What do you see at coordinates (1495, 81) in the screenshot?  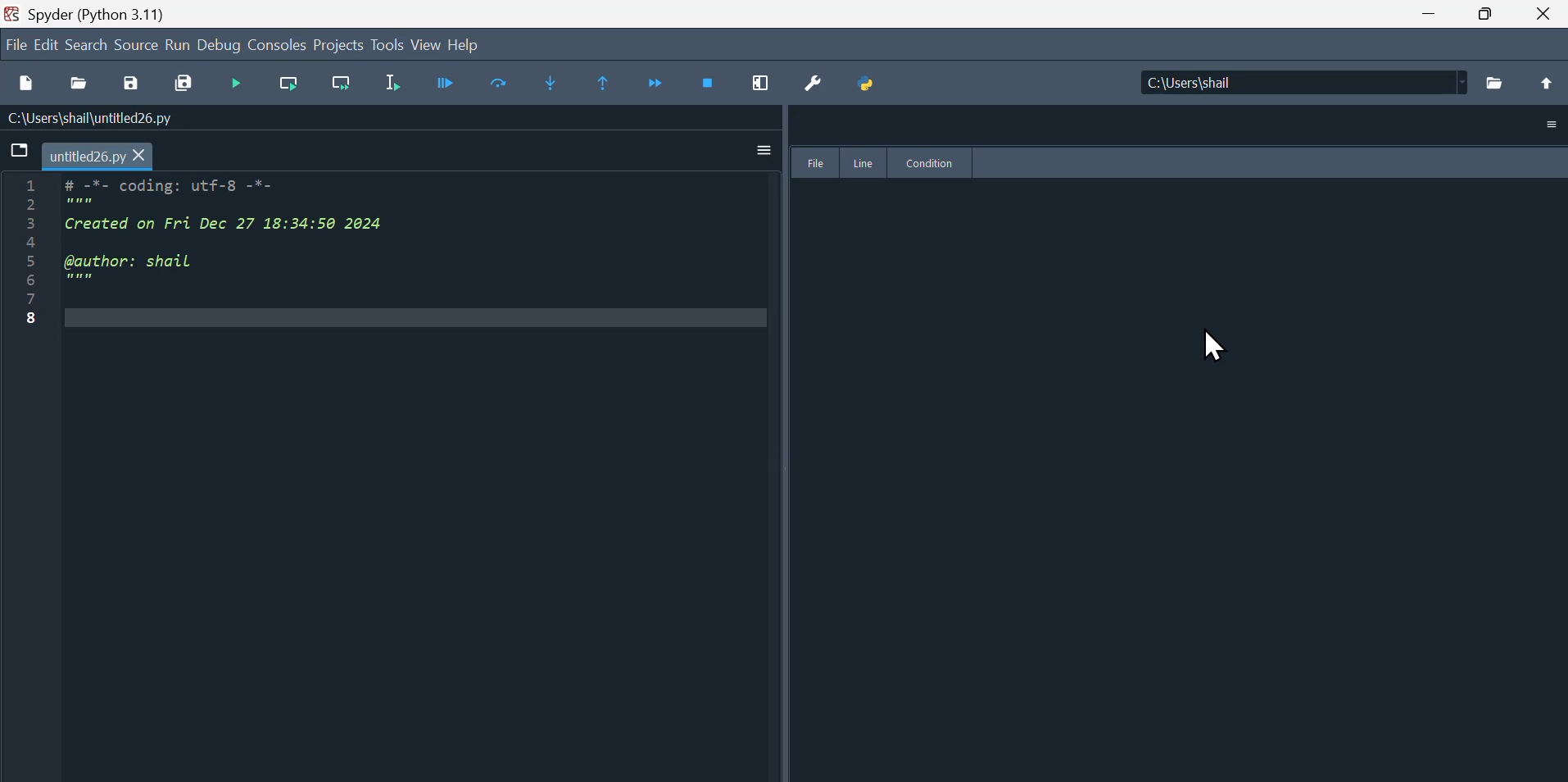 I see `Browse` at bounding box center [1495, 81].